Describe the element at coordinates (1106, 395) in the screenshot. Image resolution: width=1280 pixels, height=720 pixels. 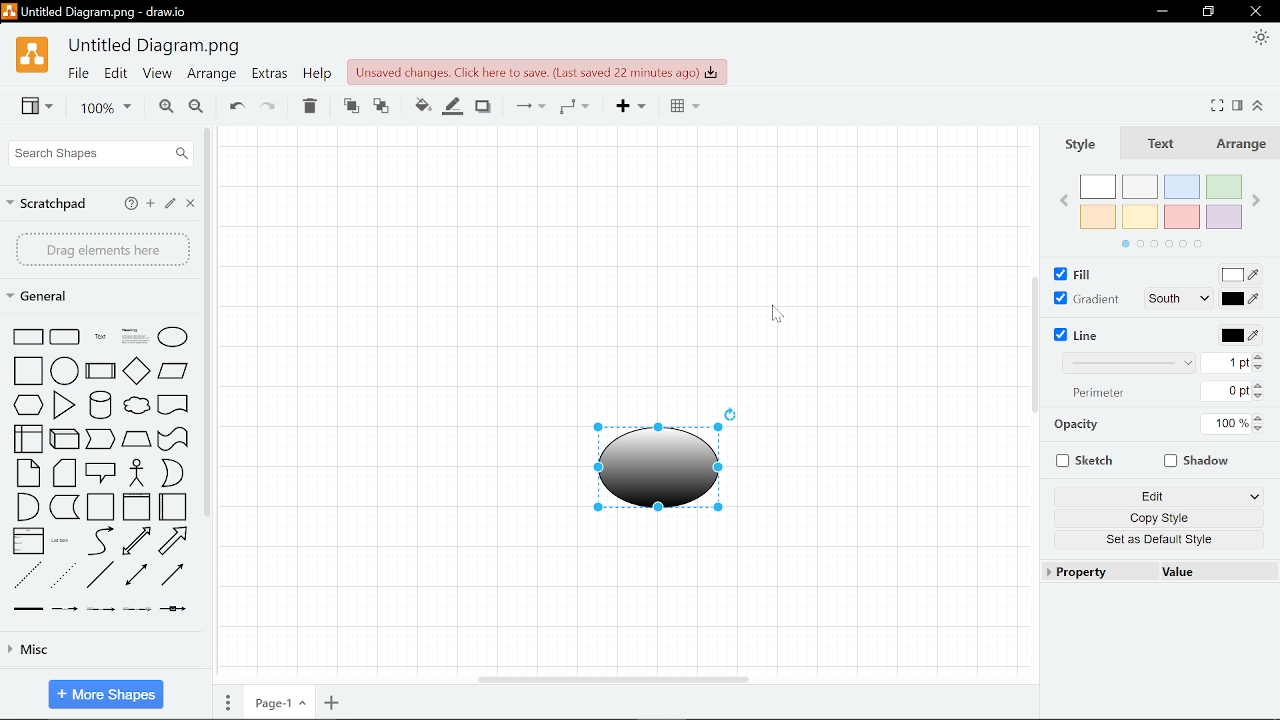
I see `Perimeter` at that location.